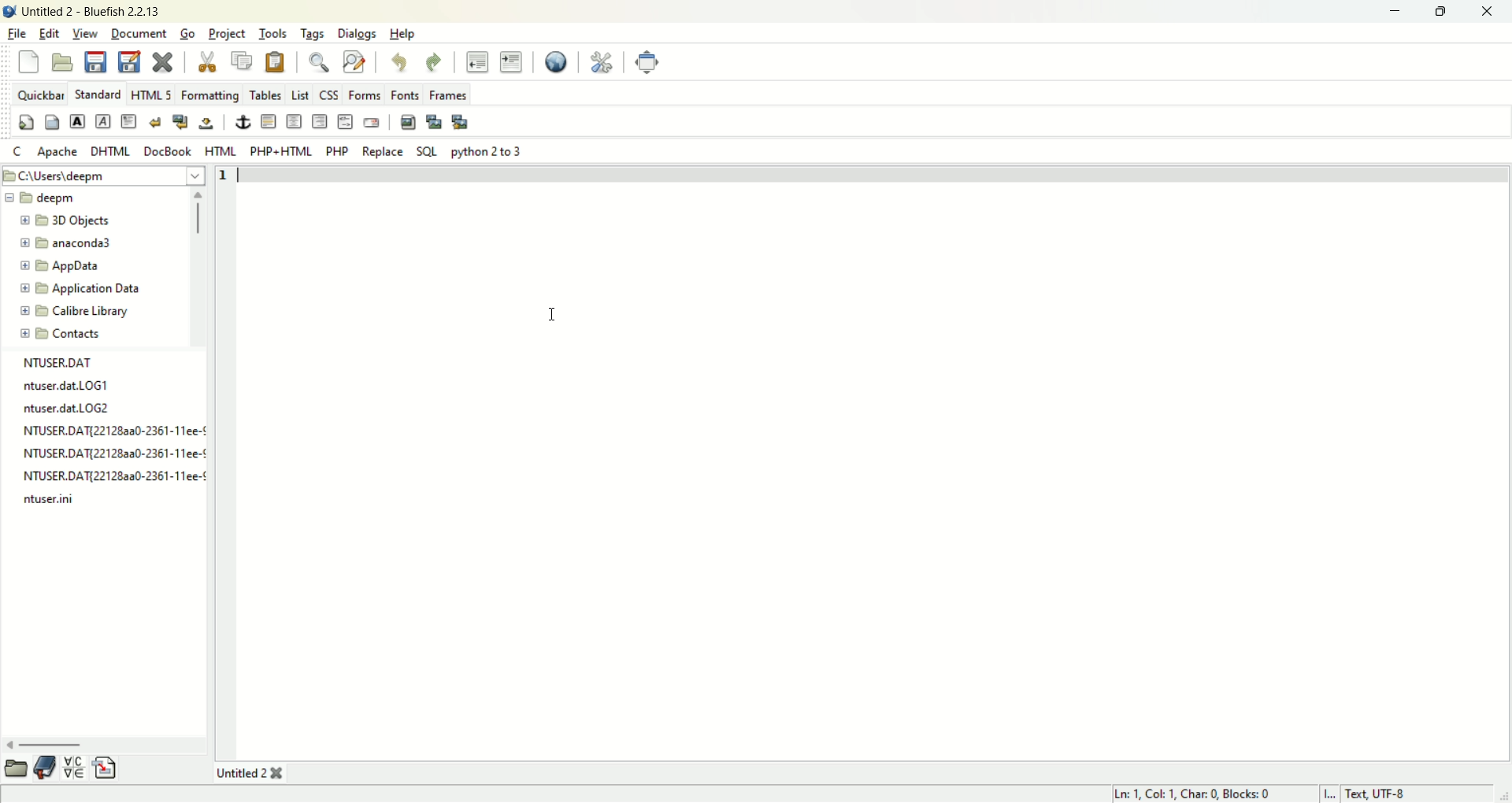 The image size is (1512, 803). Describe the element at coordinates (49, 33) in the screenshot. I see `edit` at that location.